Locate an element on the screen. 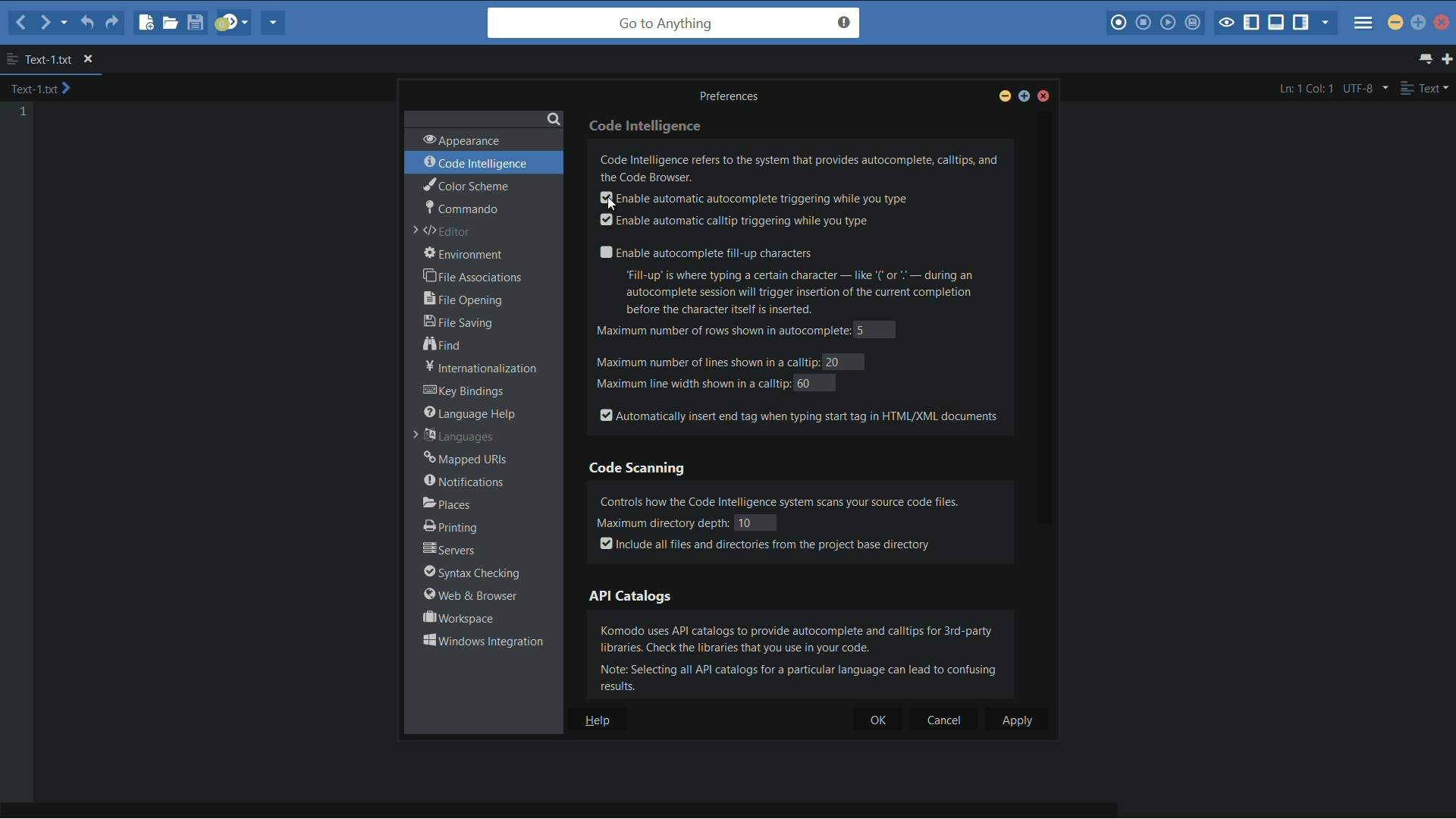  Code Intelligence refers to the system that provides autocomplete, calltips, and
the Code Browser. is located at coordinates (801, 167).